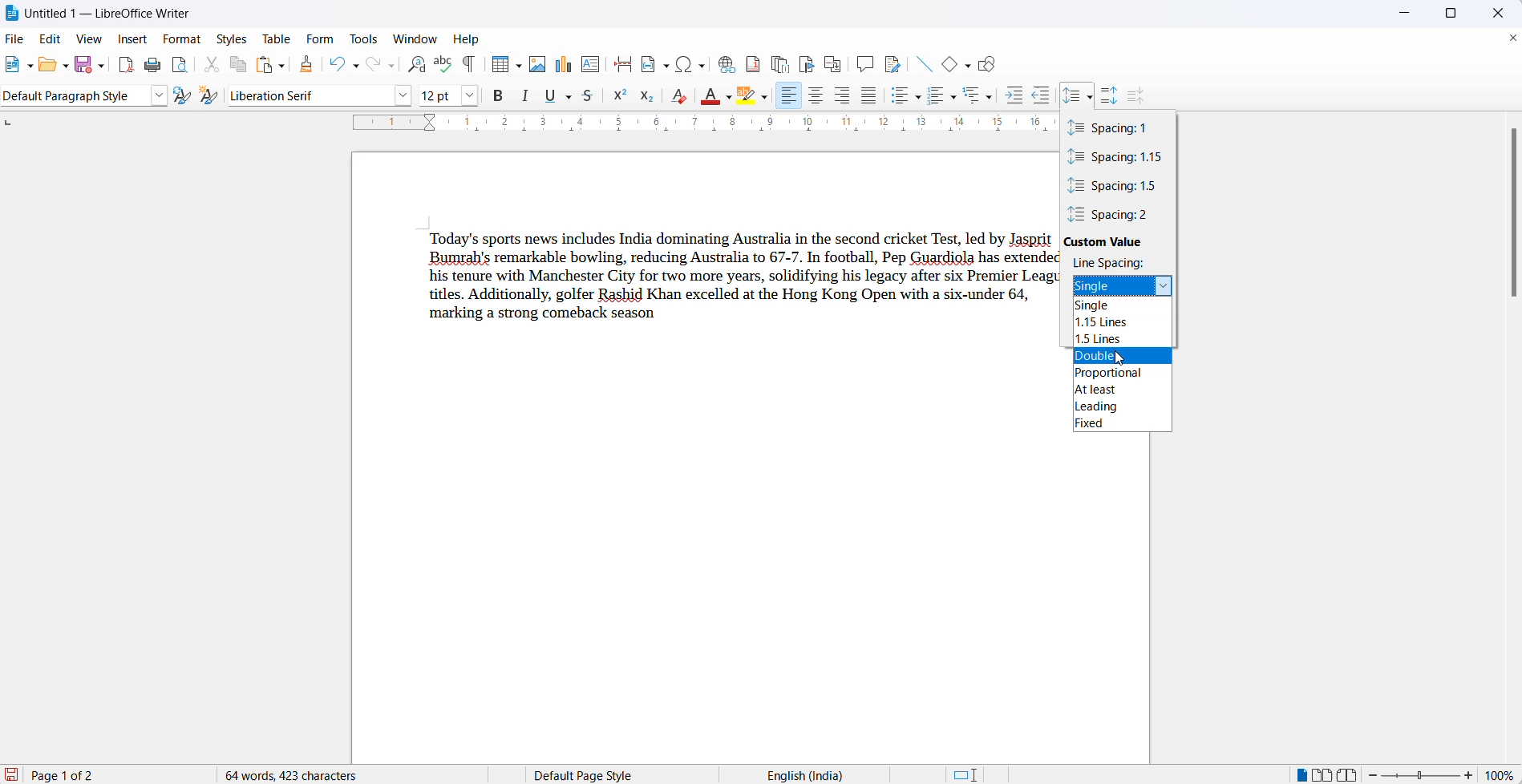  I want to click on zoom slider, so click(1420, 775).